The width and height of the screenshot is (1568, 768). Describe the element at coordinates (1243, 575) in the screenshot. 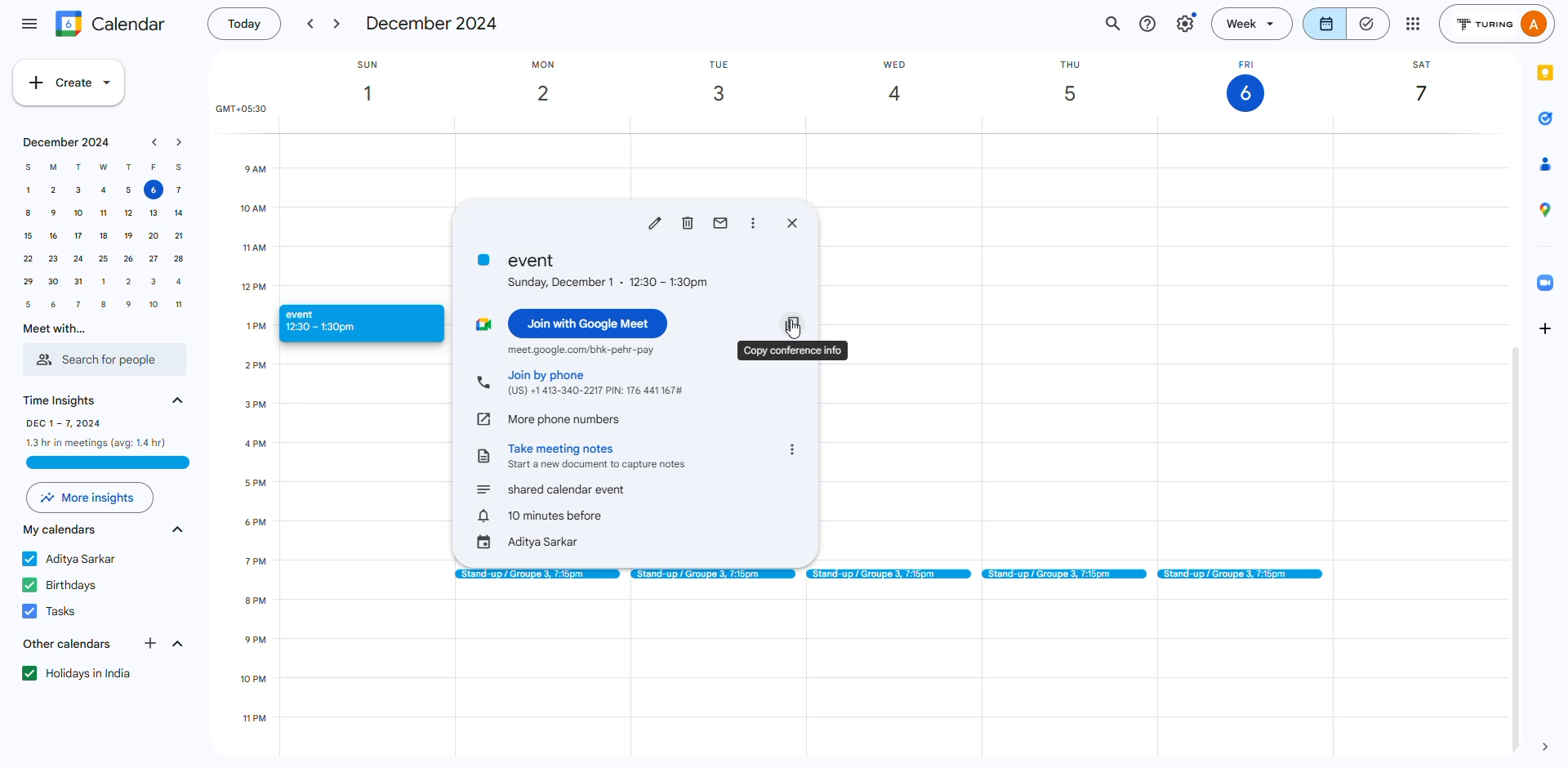

I see `meetings` at that location.